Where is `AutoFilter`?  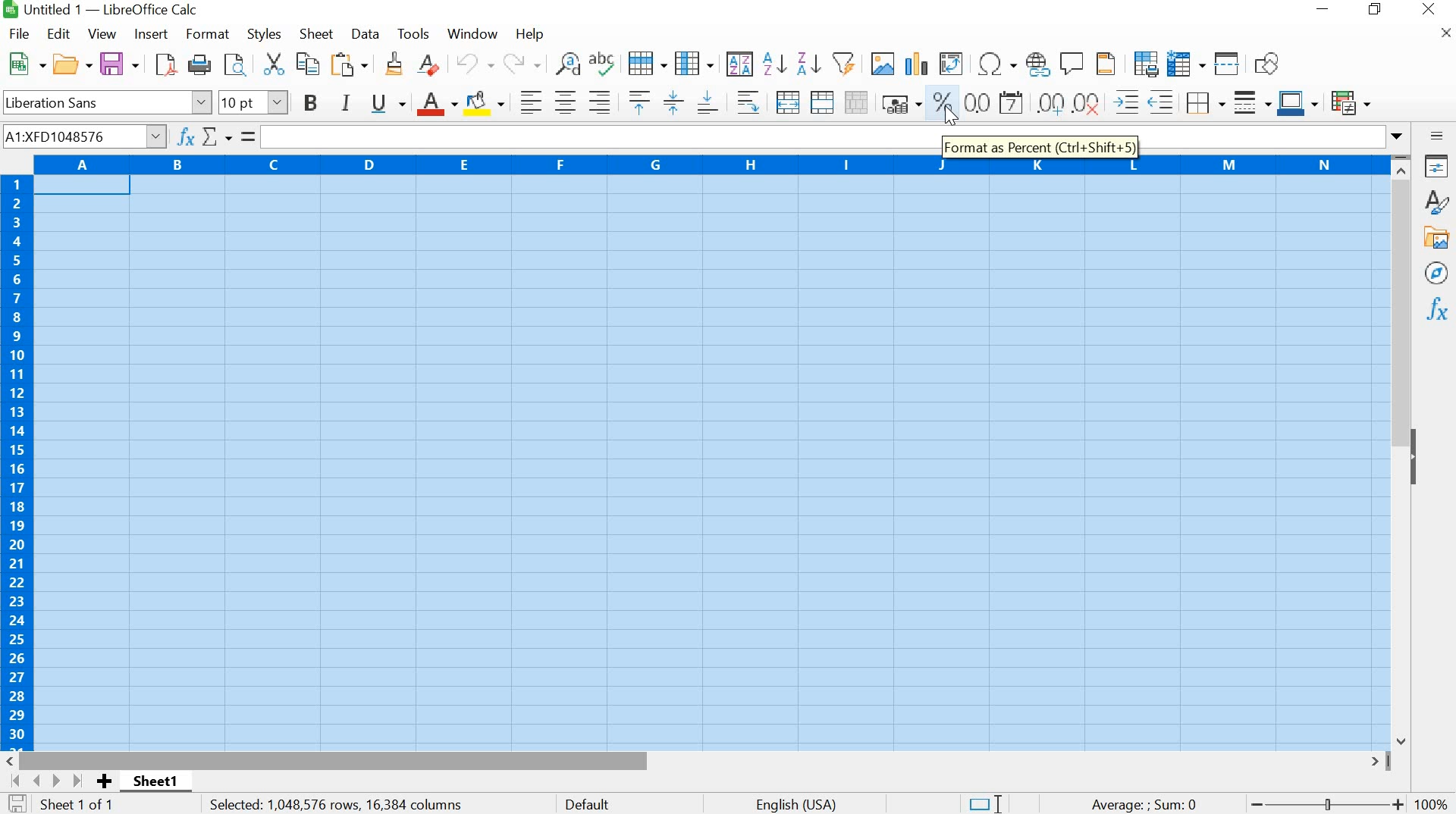 AutoFilter is located at coordinates (843, 64).